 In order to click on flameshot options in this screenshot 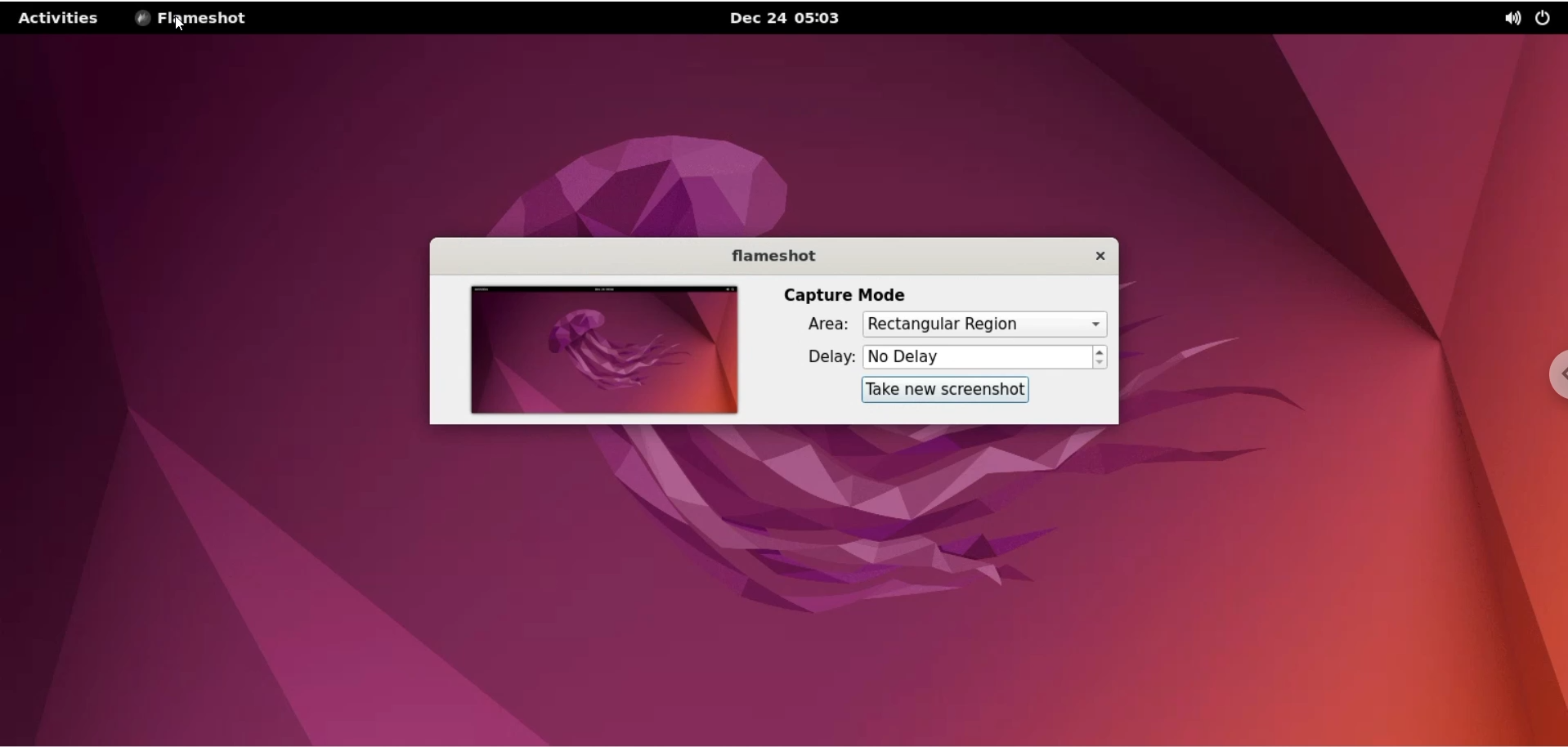, I will do `click(195, 17)`.